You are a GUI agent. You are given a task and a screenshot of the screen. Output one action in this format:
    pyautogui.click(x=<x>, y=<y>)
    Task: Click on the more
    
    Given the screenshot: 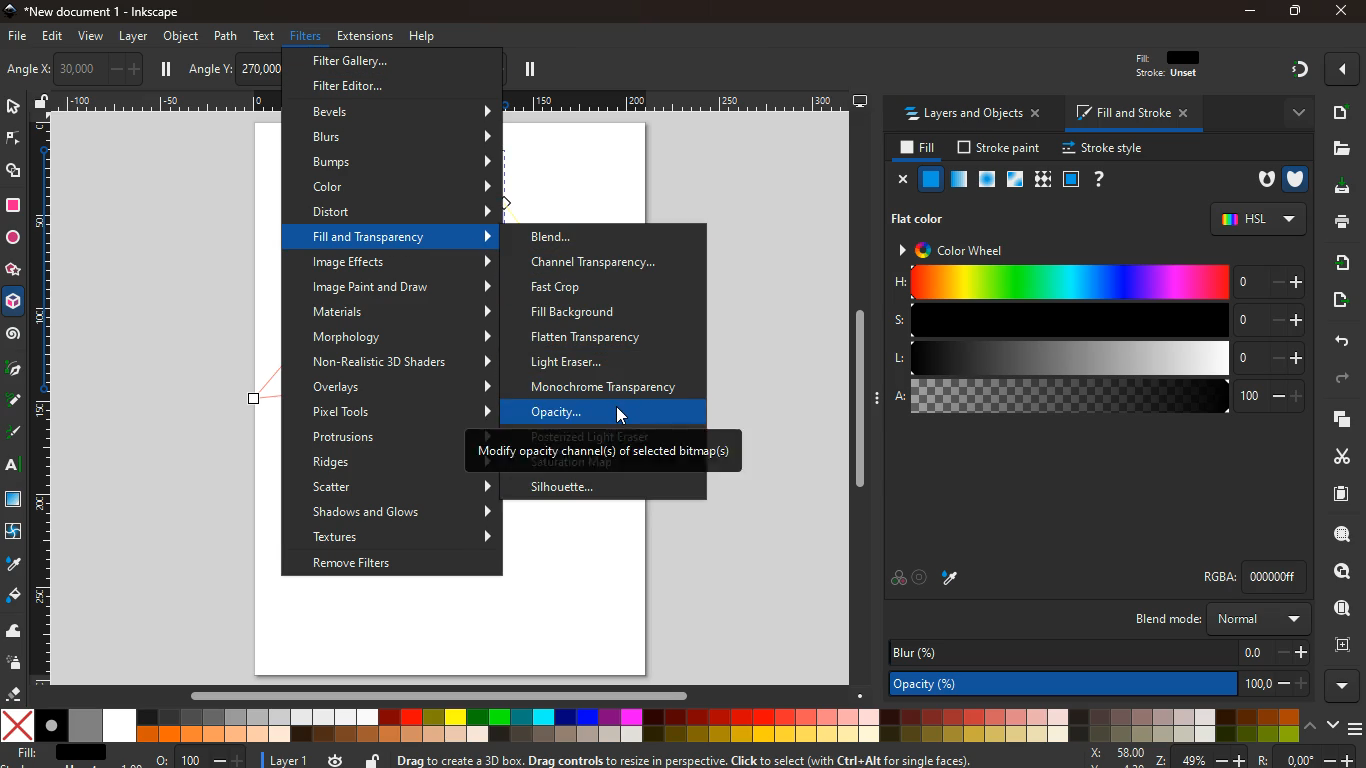 What is the action you would take?
    pyautogui.click(x=1341, y=685)
    